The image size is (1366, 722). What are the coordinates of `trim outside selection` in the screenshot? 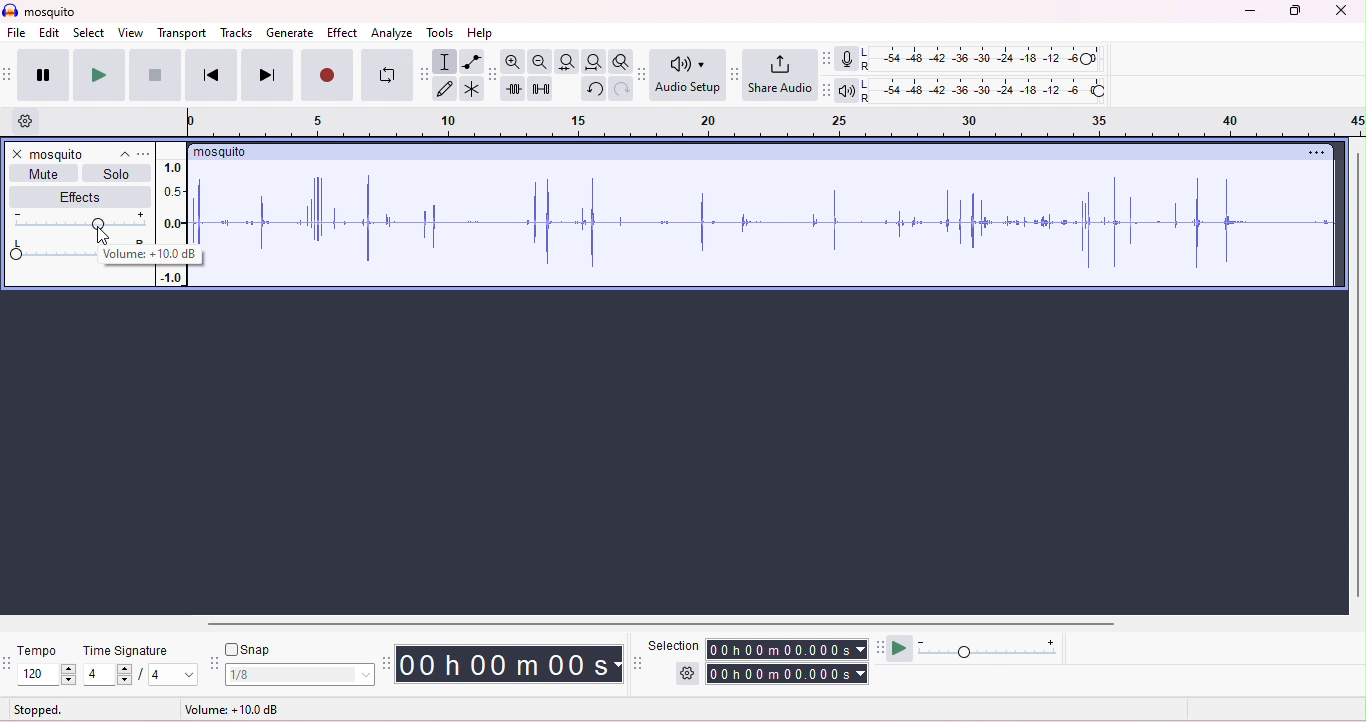 It's located at (516, 88).